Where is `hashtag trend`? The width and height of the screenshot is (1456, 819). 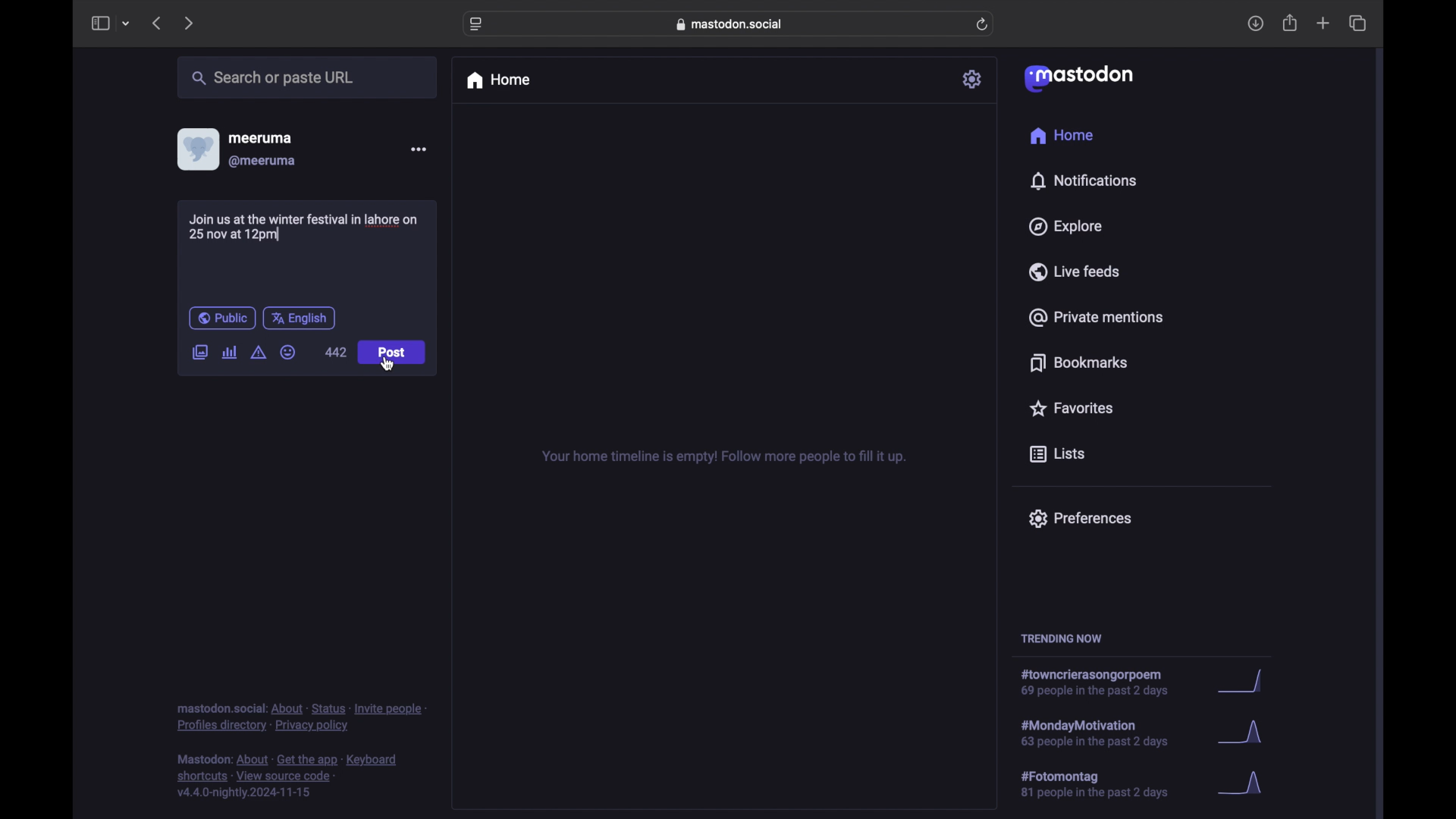
hashtag trend is located at coordinates (1103, 683).